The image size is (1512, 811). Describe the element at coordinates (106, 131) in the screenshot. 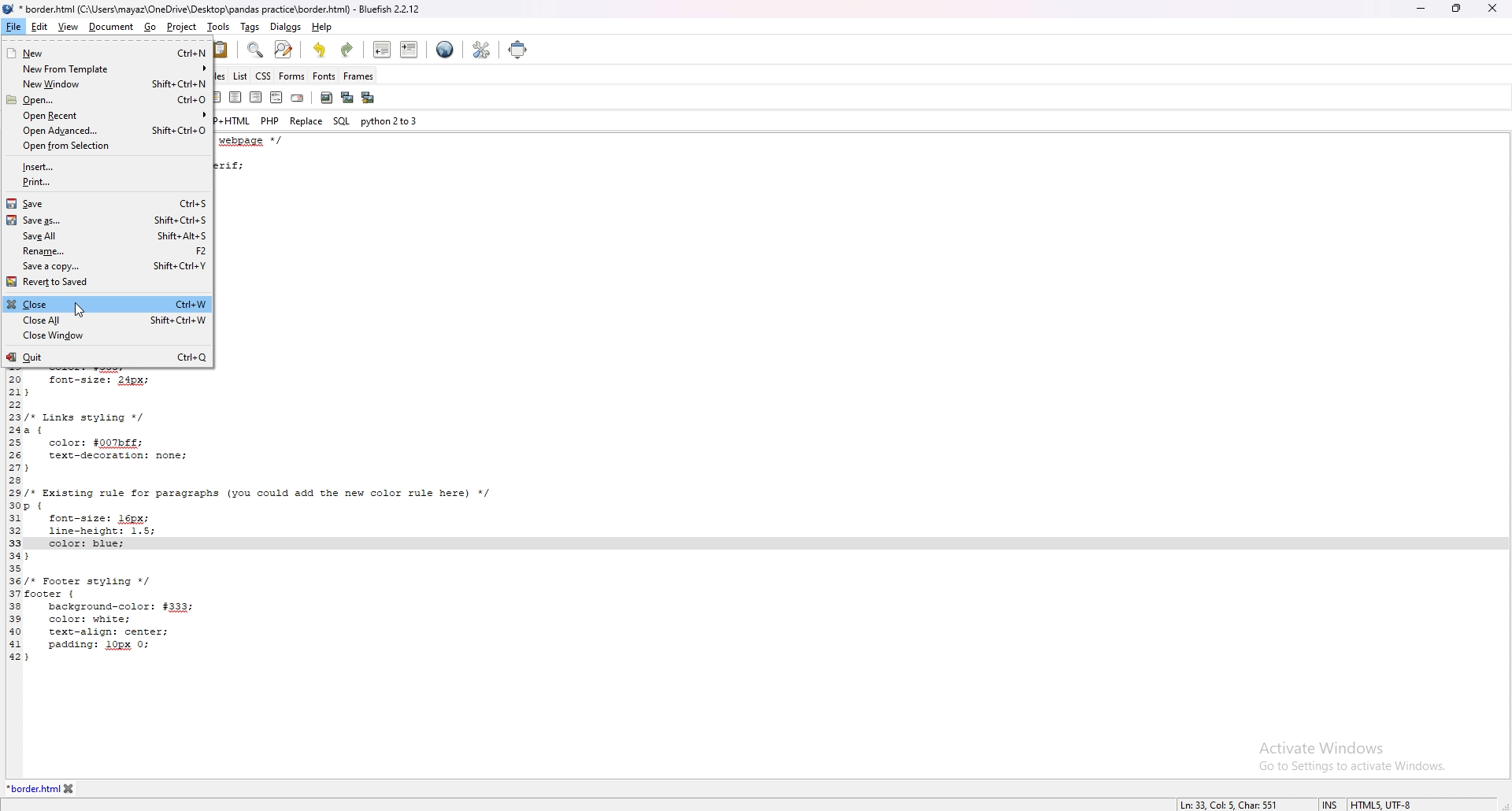

I see `open advanced` at that location.